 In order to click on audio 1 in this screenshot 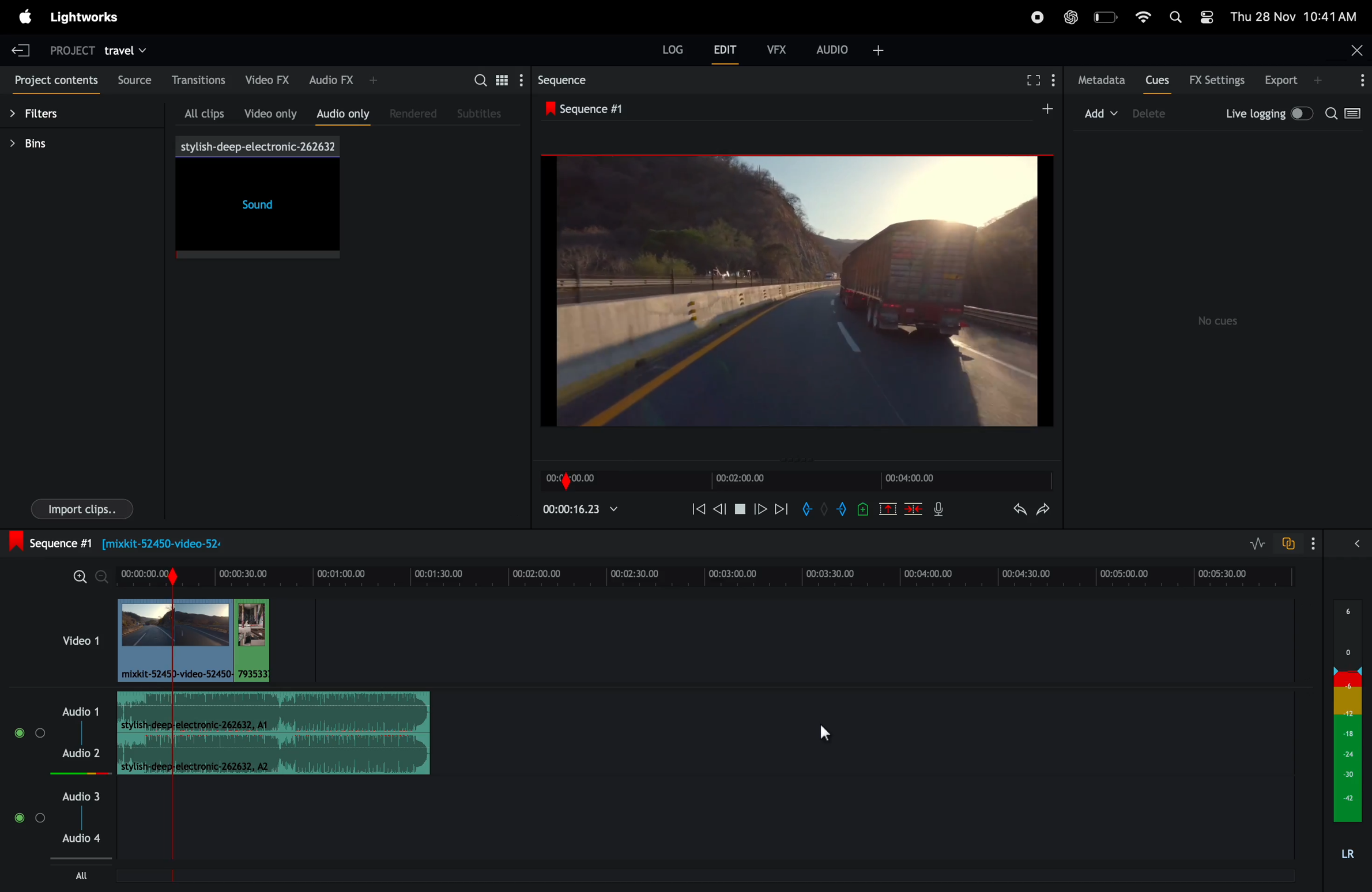, I will do `click(82, 712)`.